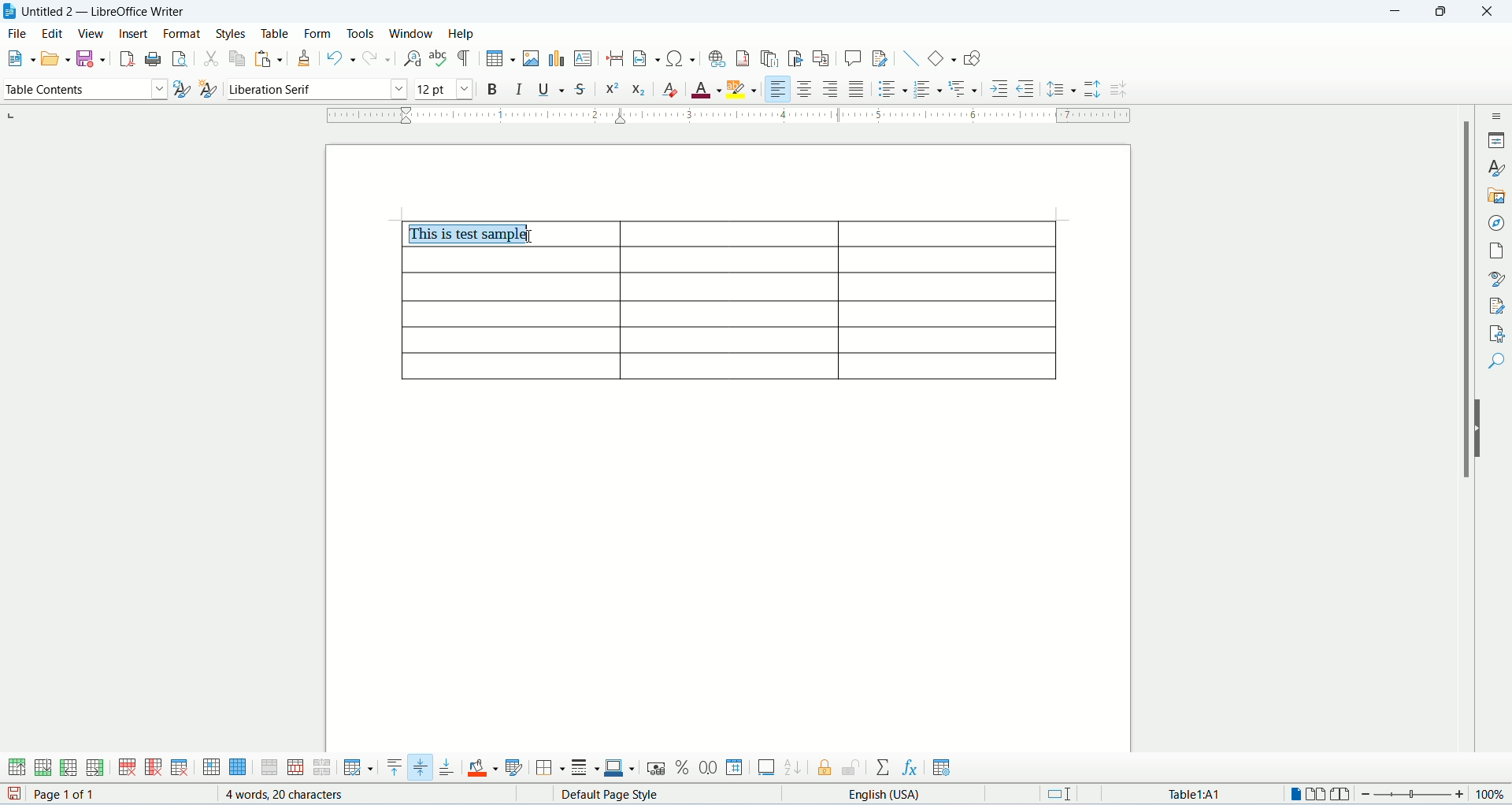 This screenshot has height=805, width=1512. I want to click on word count, so click(287, 795).